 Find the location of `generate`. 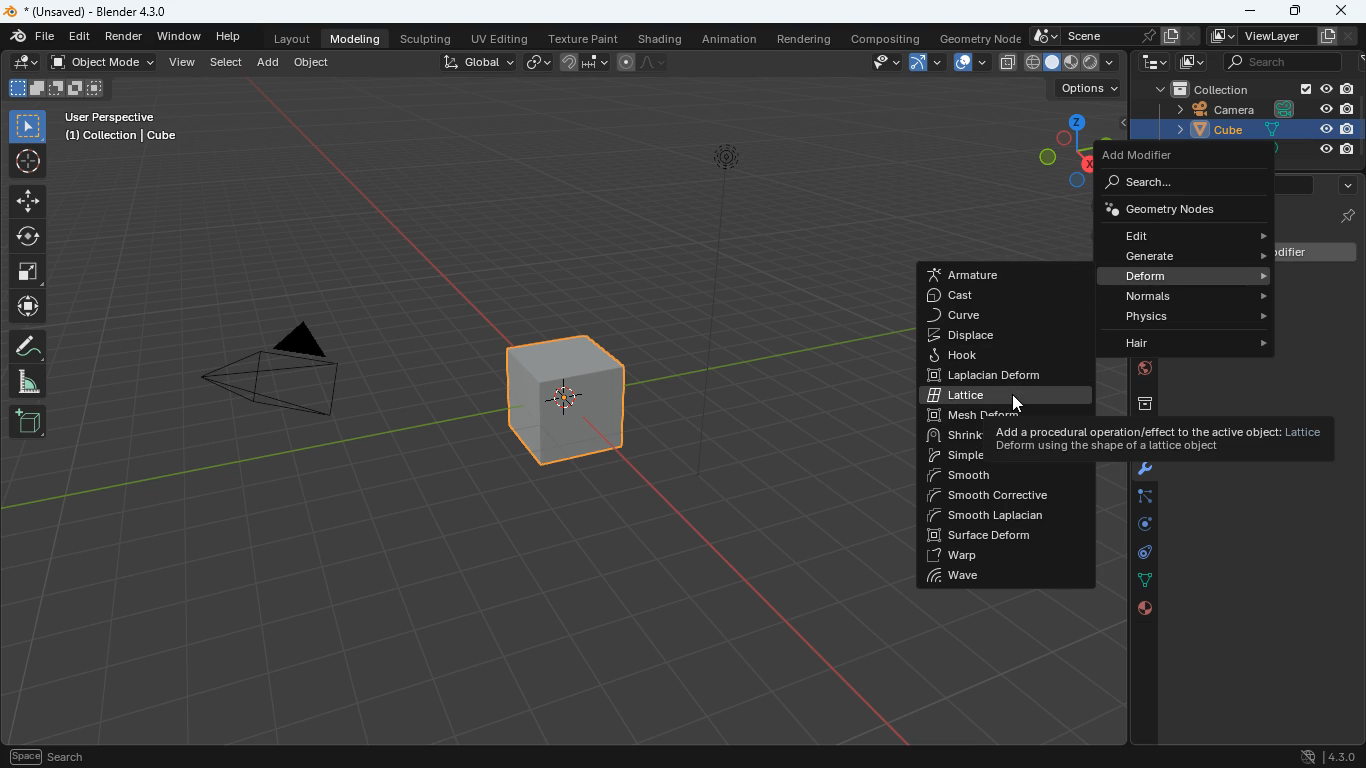

generate is located at coordinates (1192, 257).